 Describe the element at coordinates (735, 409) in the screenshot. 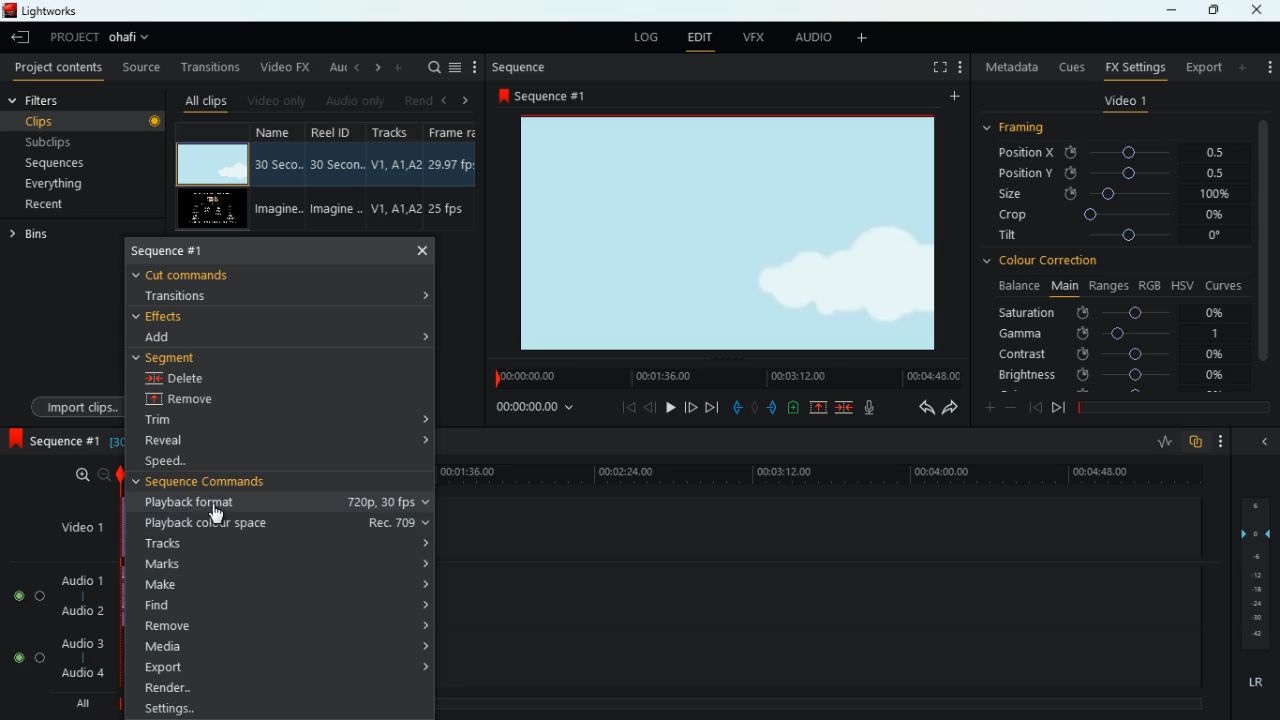

I see `pull` at that location.